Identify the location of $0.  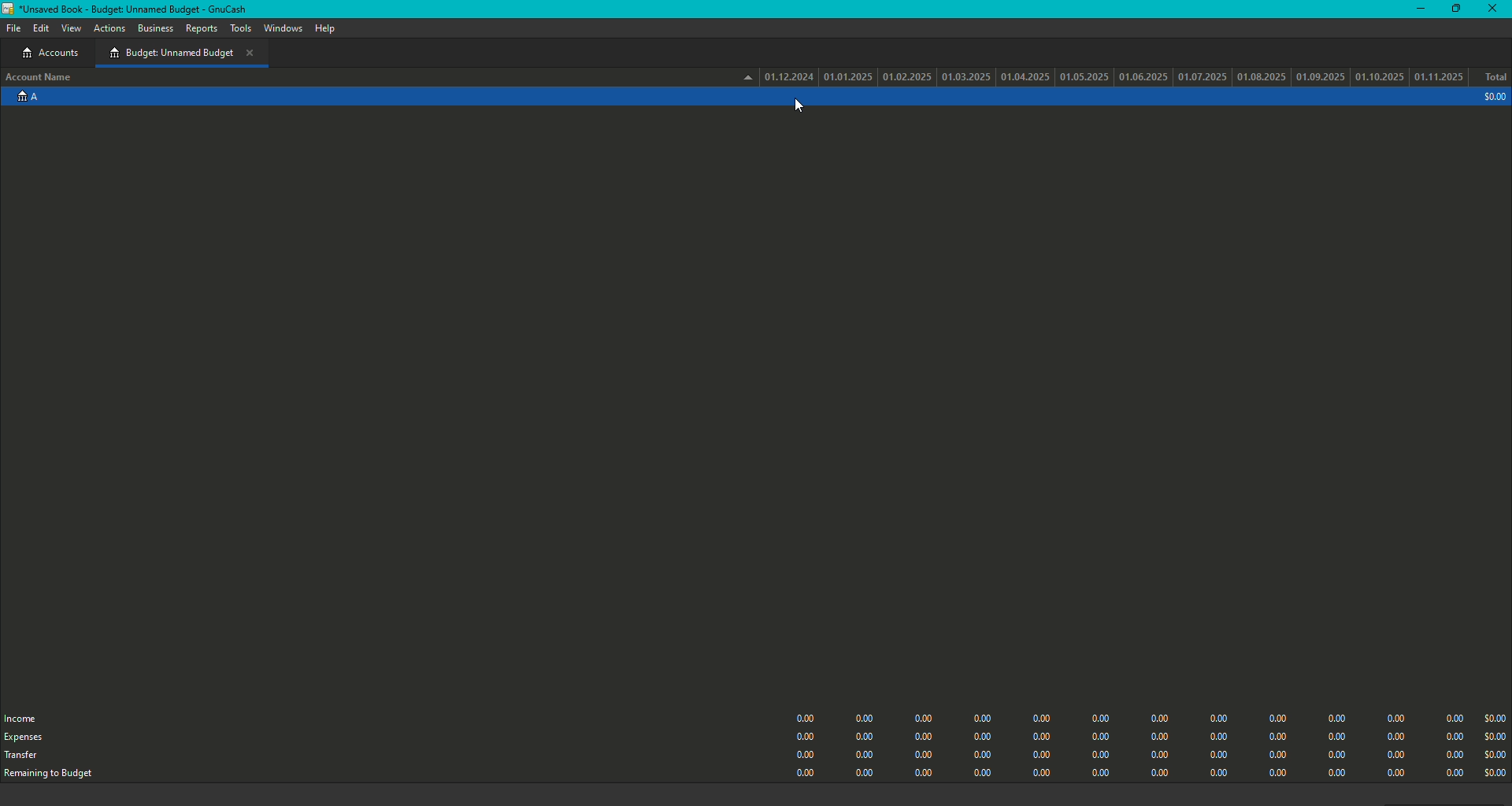
(1492, 98).